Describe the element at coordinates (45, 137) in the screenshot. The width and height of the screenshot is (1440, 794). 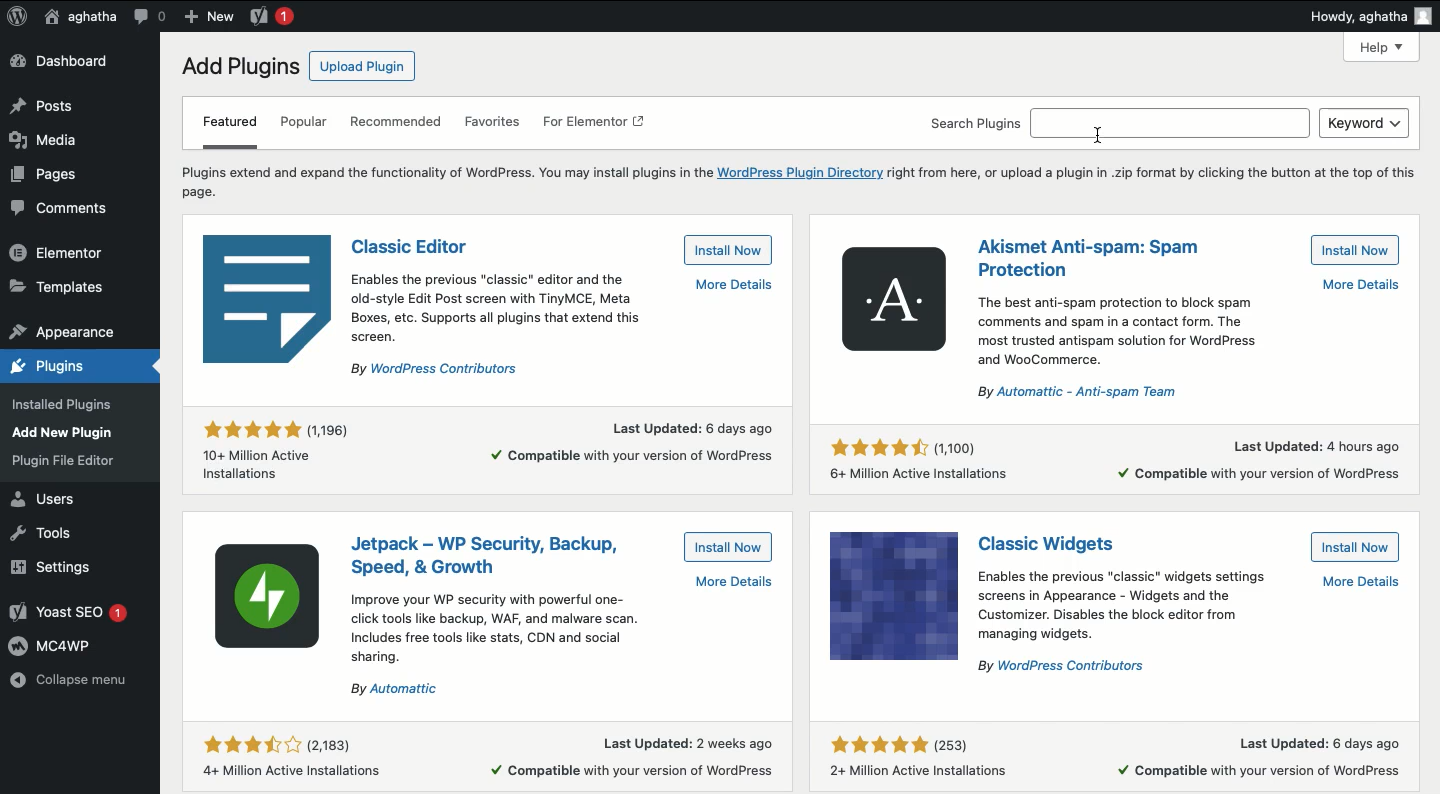
I see `Media` at that location.